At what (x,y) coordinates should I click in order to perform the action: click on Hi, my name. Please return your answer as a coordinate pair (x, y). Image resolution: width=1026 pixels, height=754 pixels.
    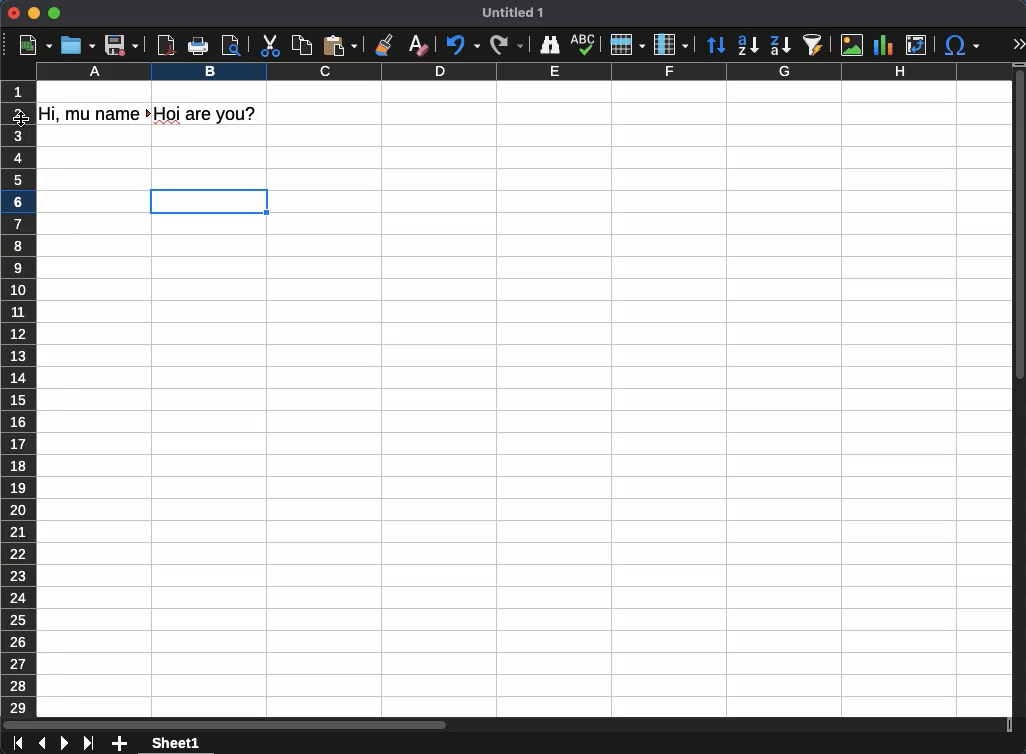
    Looking at the image, I should click on (94, 114).